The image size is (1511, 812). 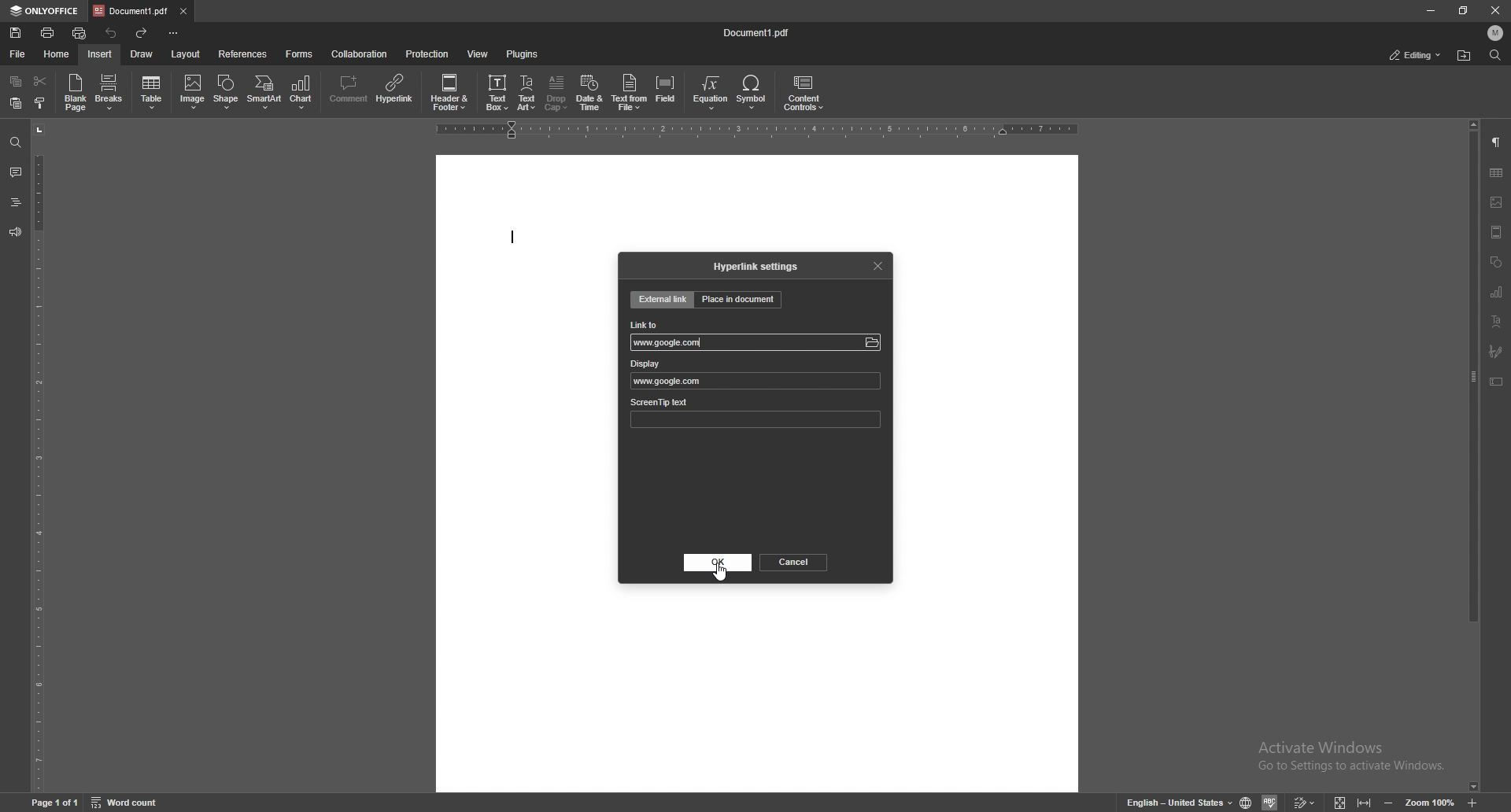 What do you see at coordinates (1340, 801) in the screenshot?
I see `fit to screen` at bounding box center [1340, 801].